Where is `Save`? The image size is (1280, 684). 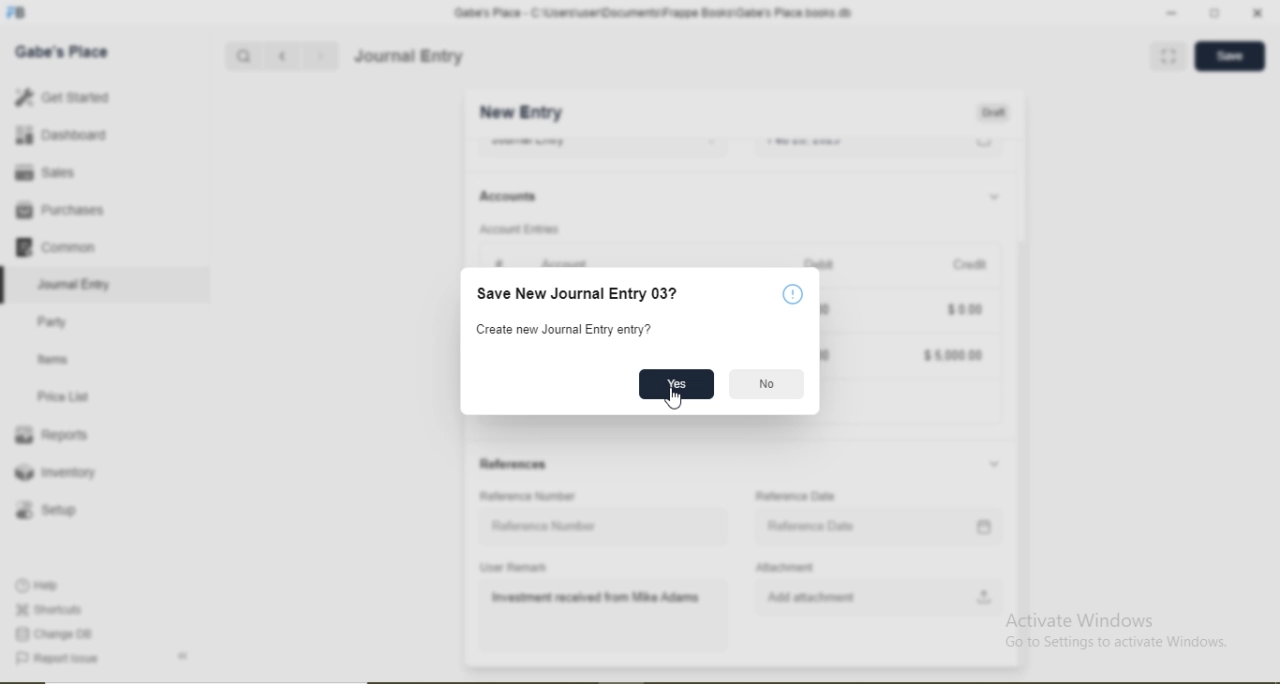
Save is located at coordinates (1229, 54).